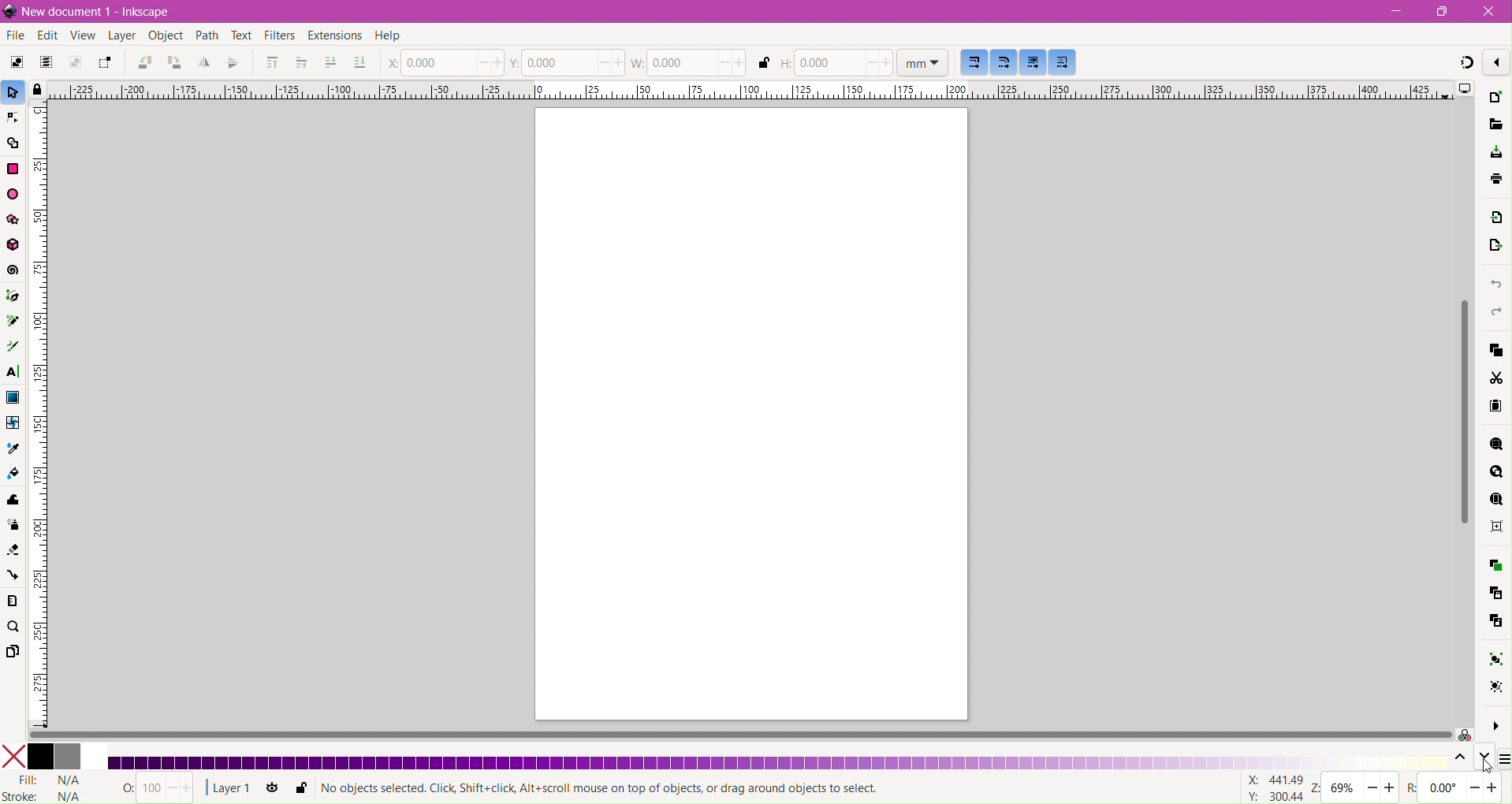  What do you see at coordinates (17, 64) in the screenshot?
I see `Select All` at bounding box center [17, 64].